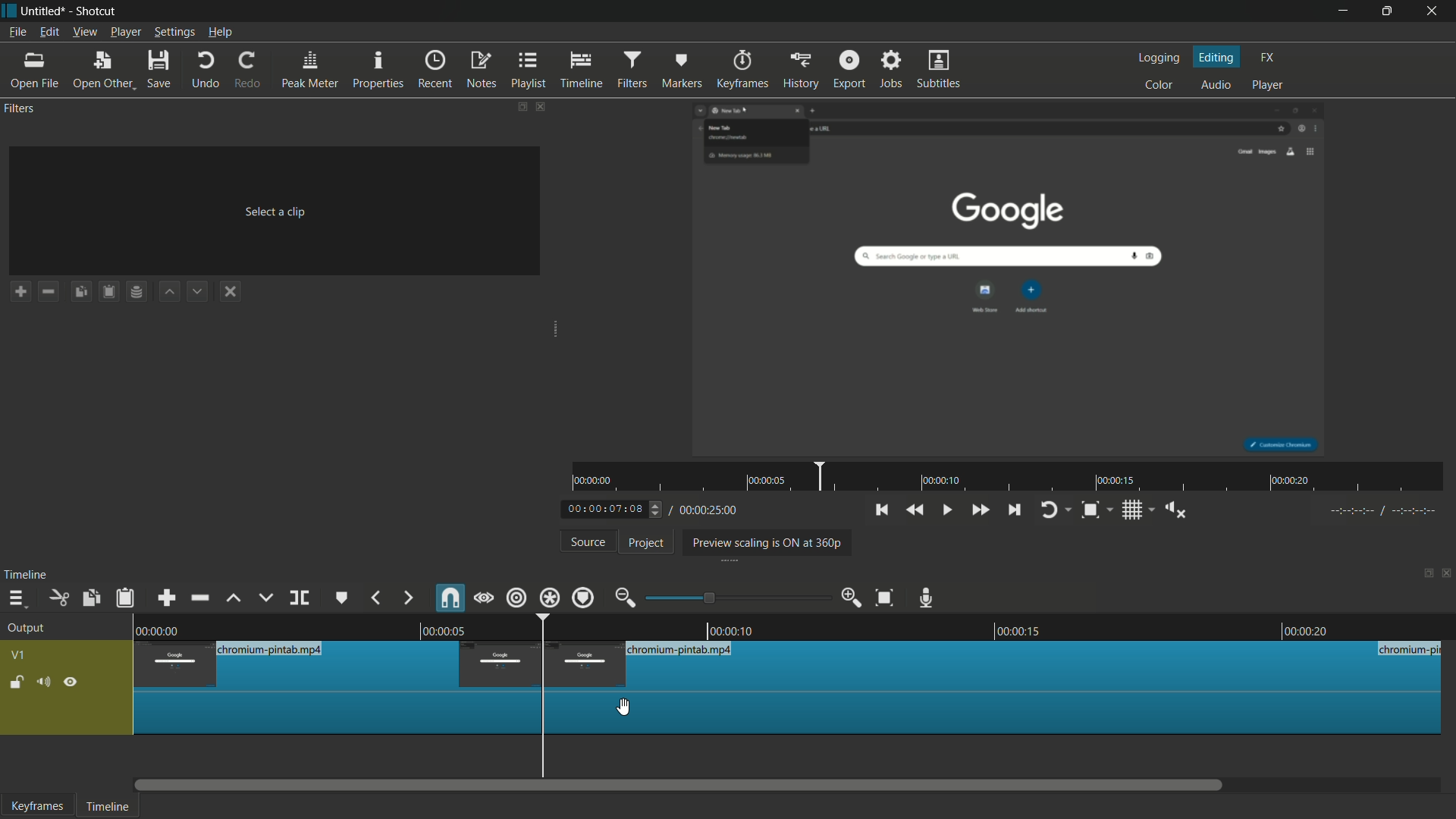 The image size is (1456, 819). I want to click on cursor, so click(626, 708).